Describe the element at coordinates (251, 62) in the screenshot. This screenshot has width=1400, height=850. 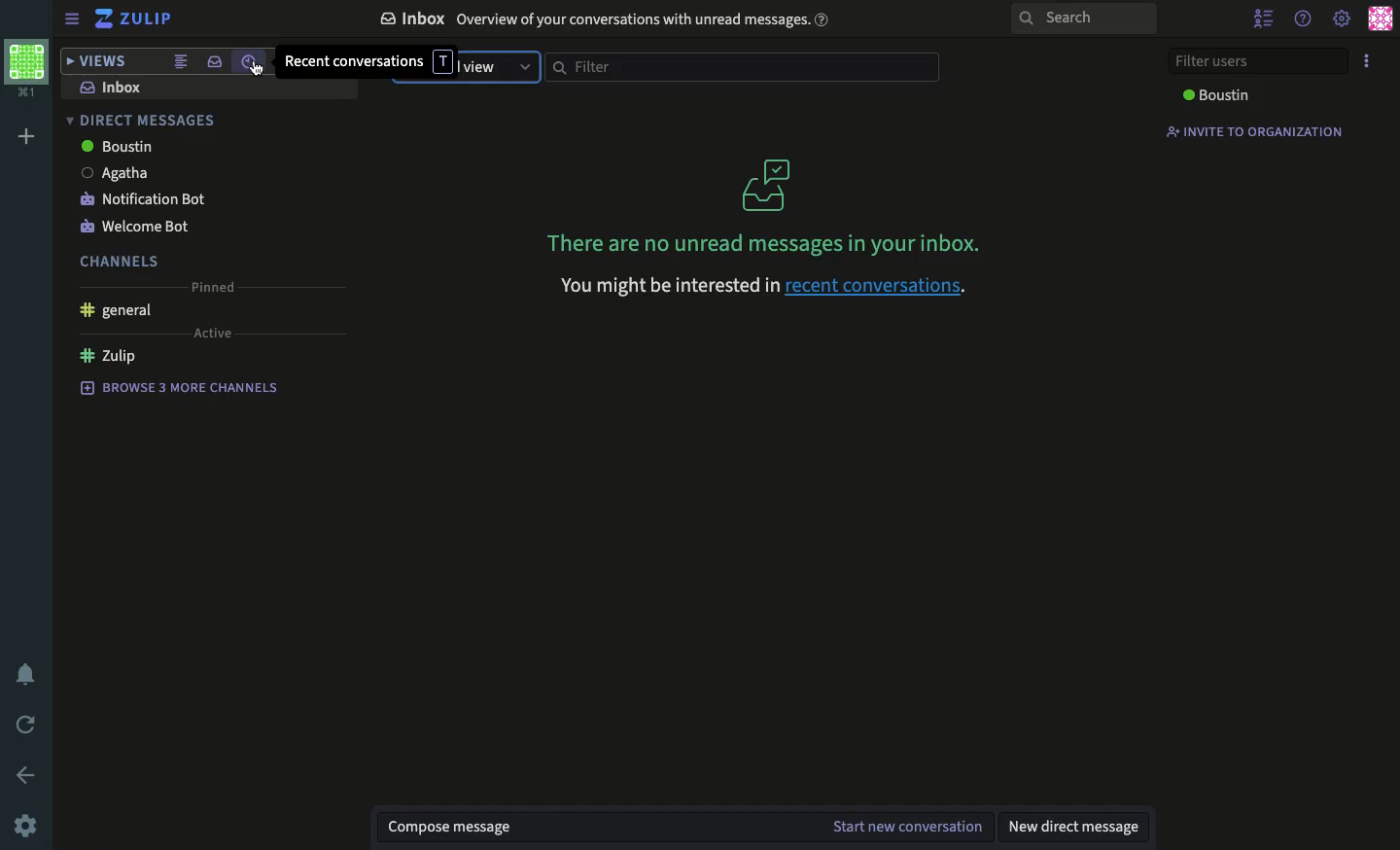
I see `recent conversation` at that location.